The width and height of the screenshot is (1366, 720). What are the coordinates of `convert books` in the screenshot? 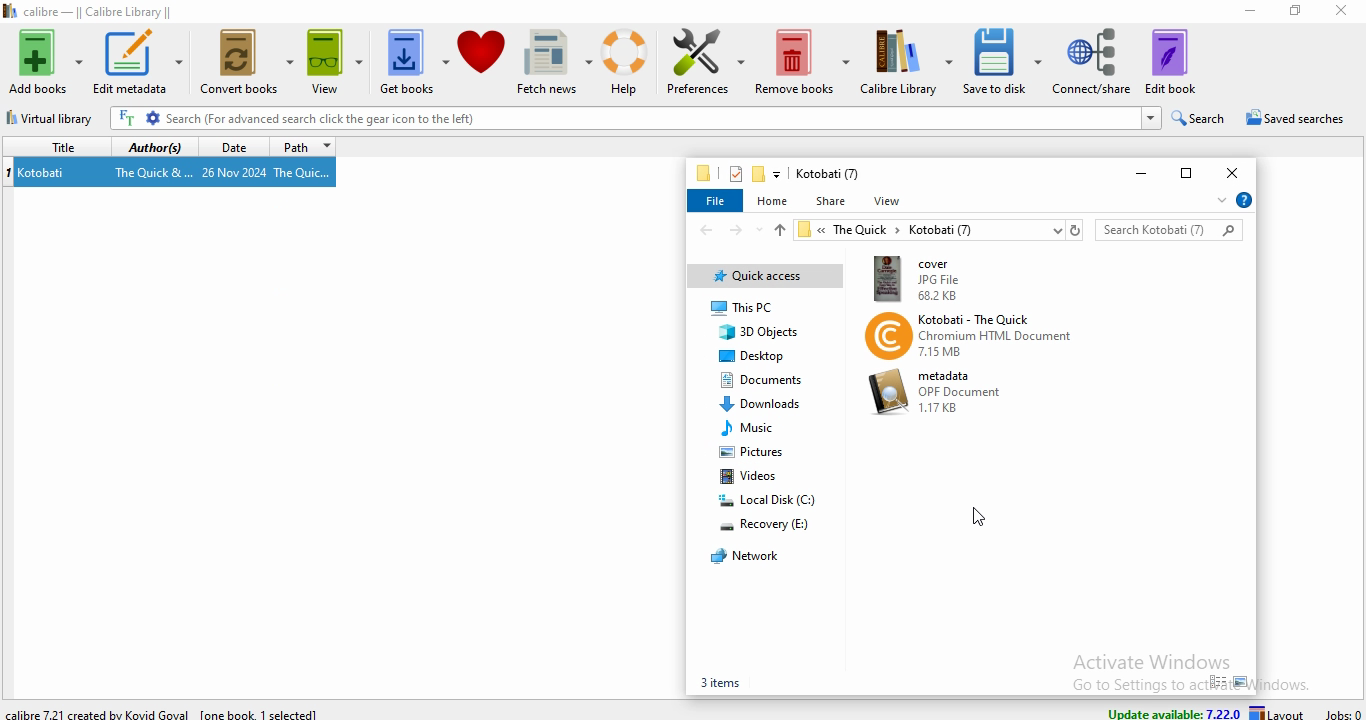 It's located at (245, 65).